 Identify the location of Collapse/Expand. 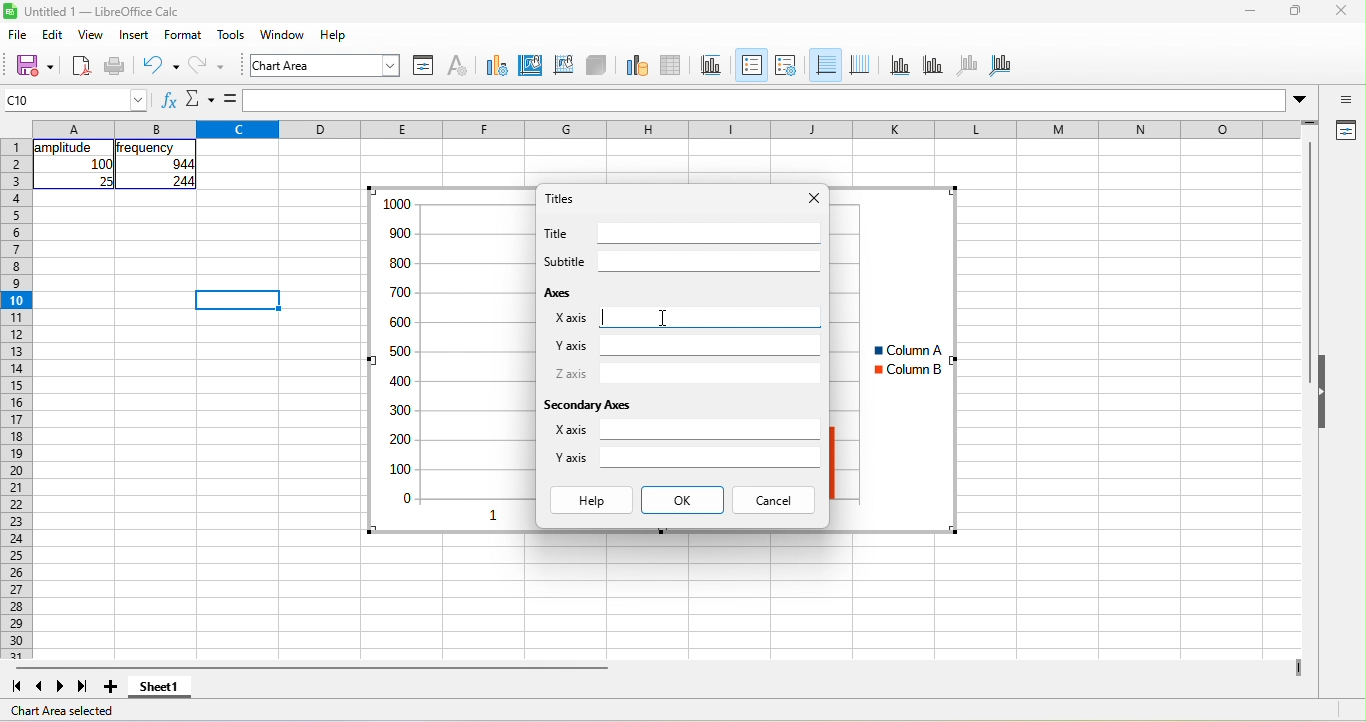
(1322, 391).